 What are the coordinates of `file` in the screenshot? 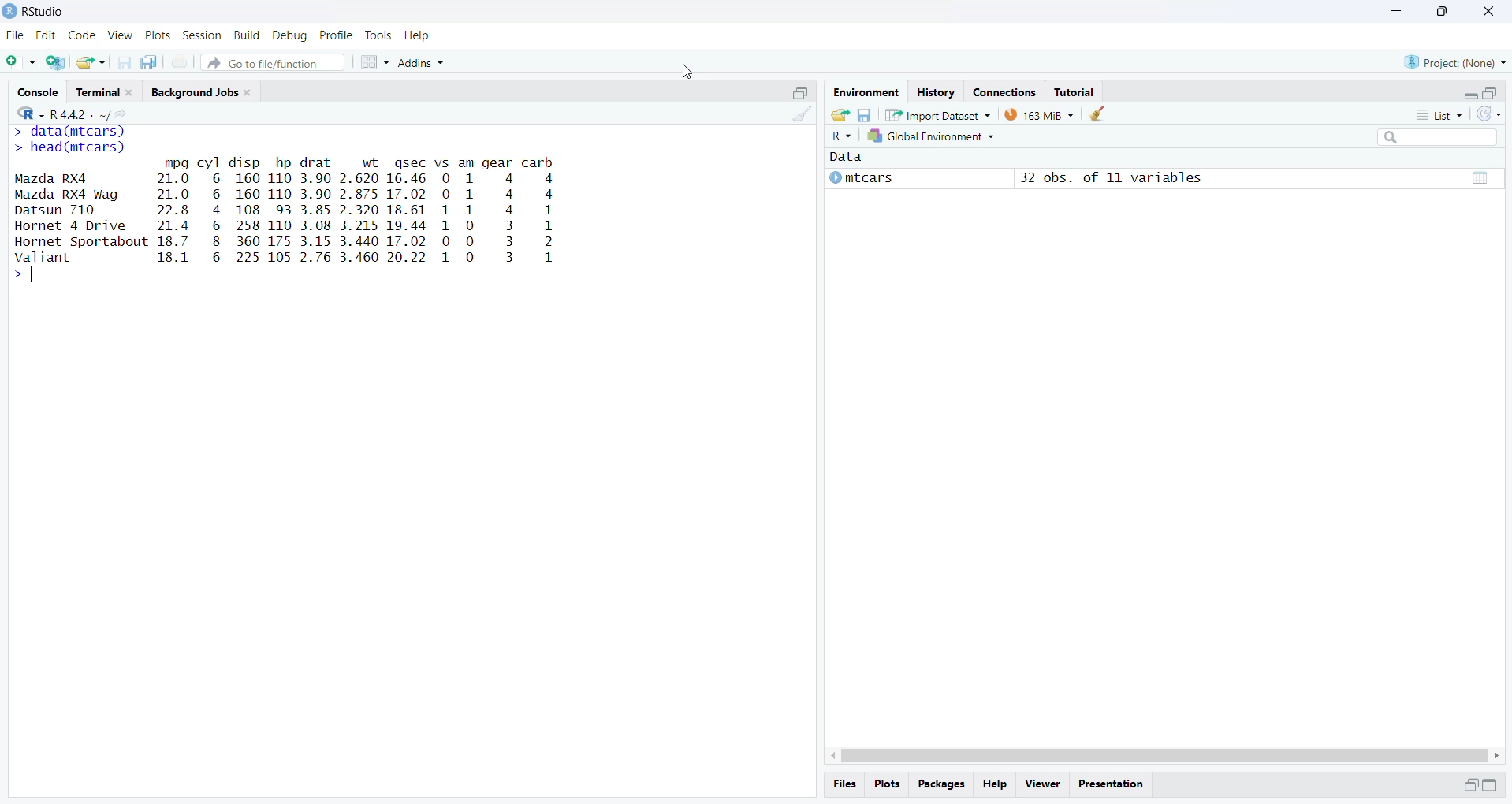 It's located at (17, 35).